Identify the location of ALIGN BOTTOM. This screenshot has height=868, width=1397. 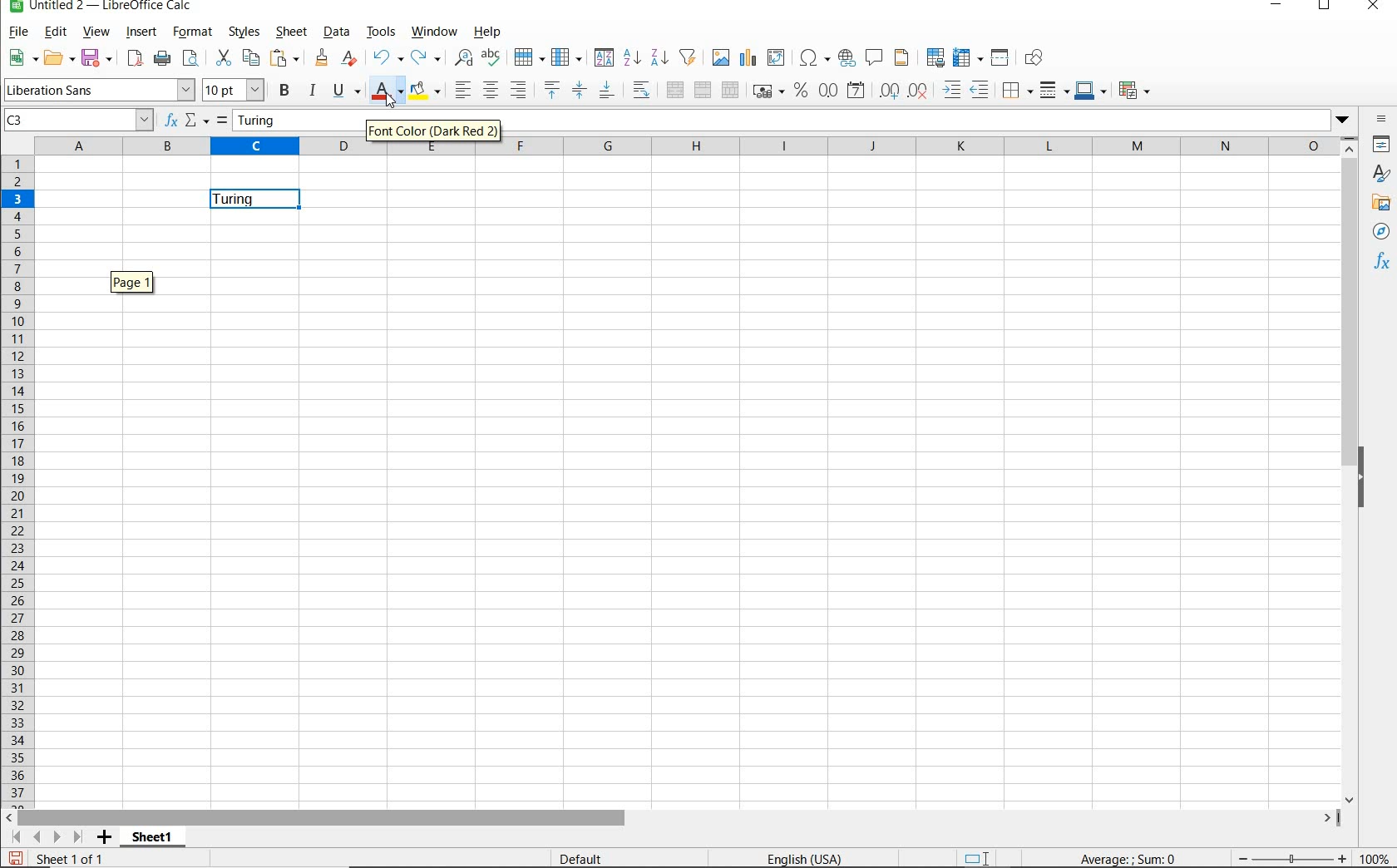
(605, 91).